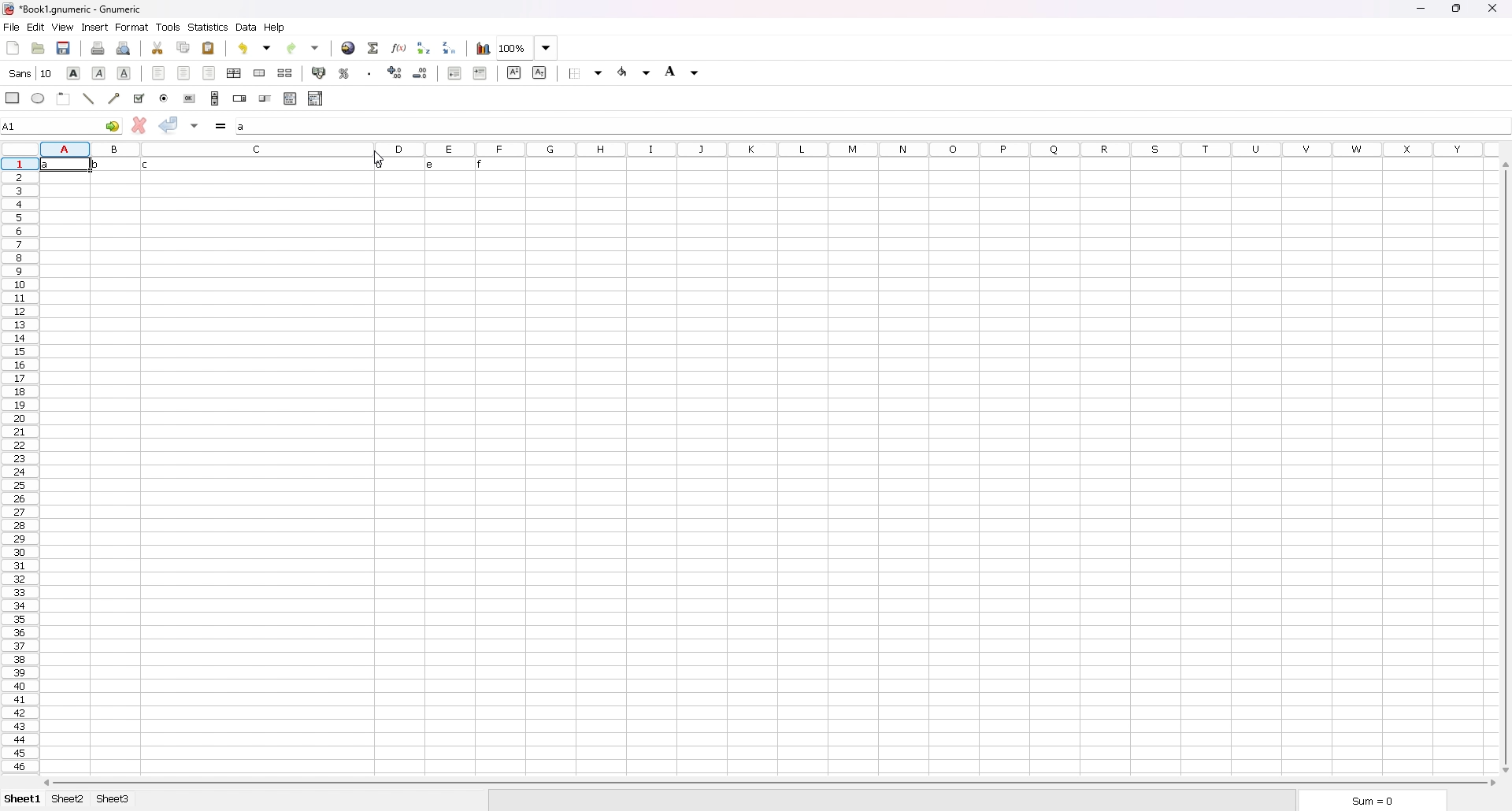 The image size is (1512, 811). I want to click on accept changes, so click(169, 125).